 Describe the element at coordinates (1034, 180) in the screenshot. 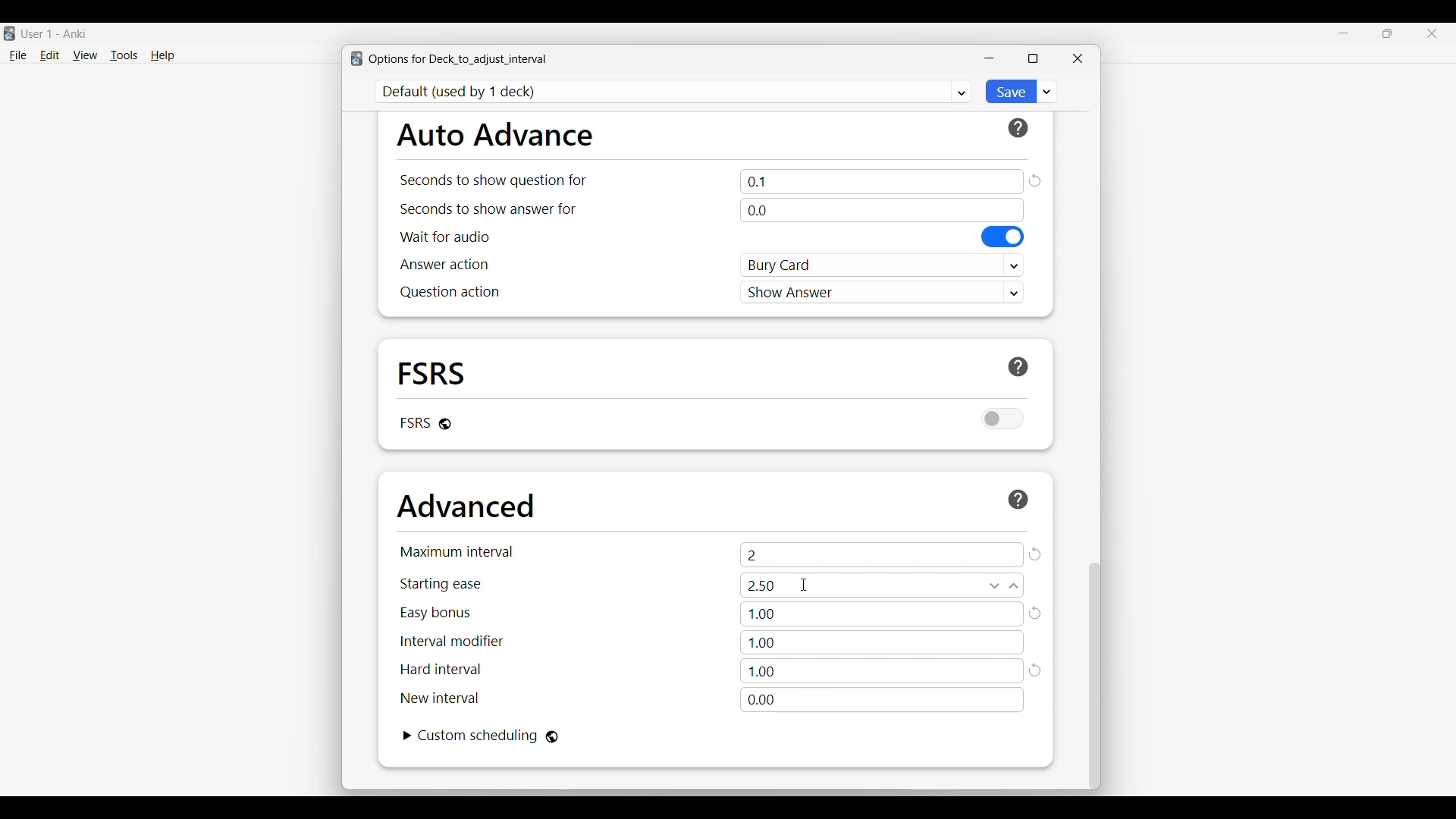

I see `reload` at that location.